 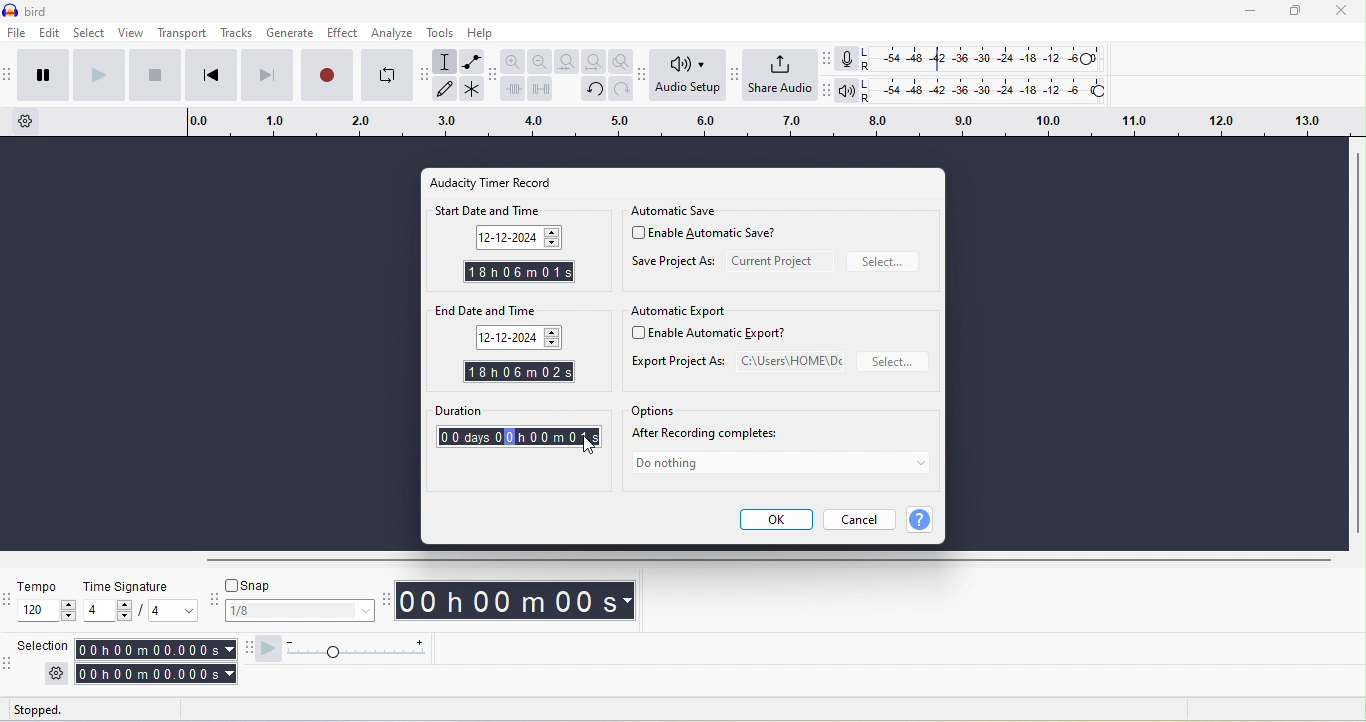 What do you see at coordinates (520, 600) in the screenshot?
I see `time` at bounding box center [520, 600].